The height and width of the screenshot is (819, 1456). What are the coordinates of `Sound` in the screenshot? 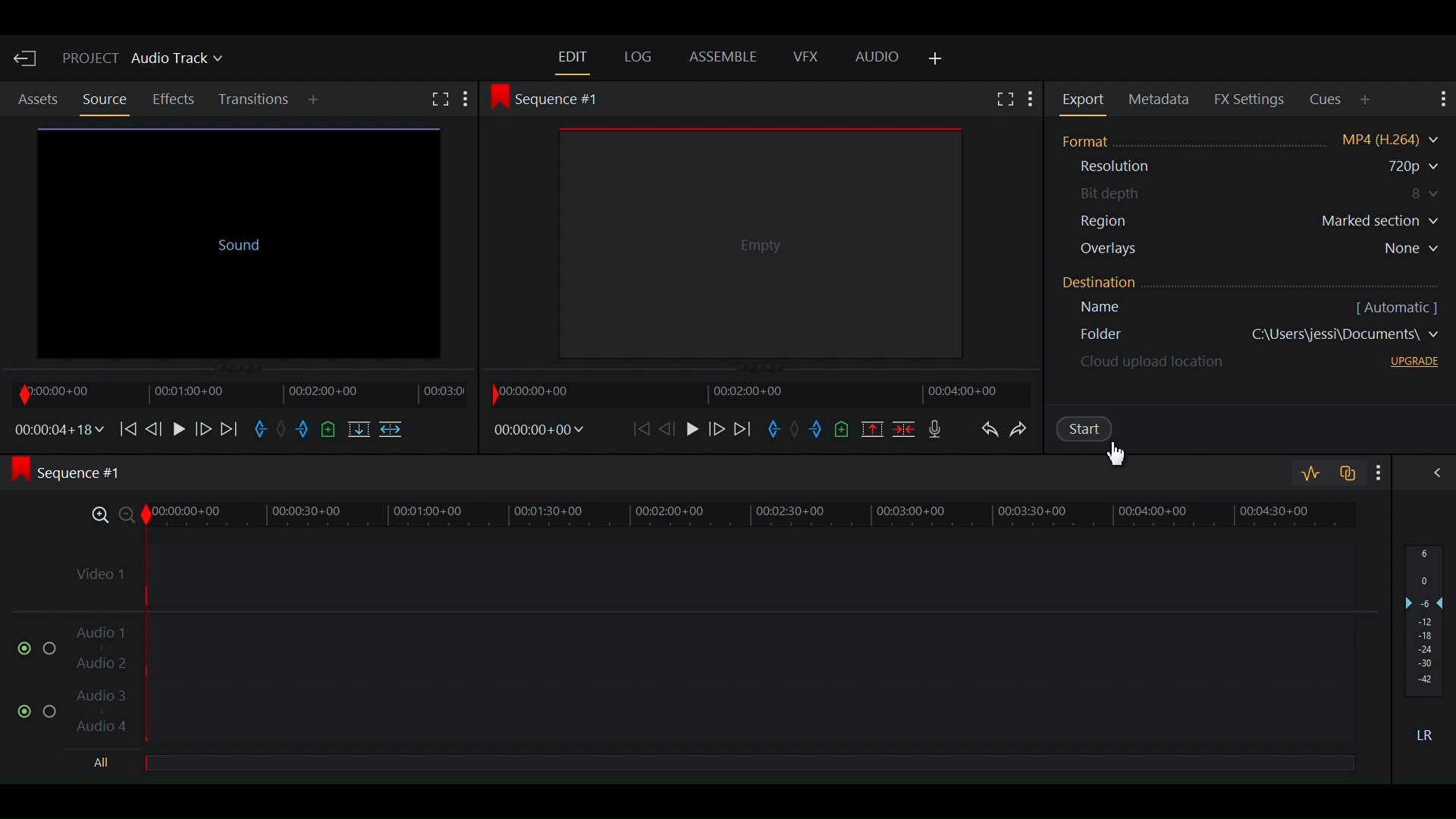 It's located at (236, 240).